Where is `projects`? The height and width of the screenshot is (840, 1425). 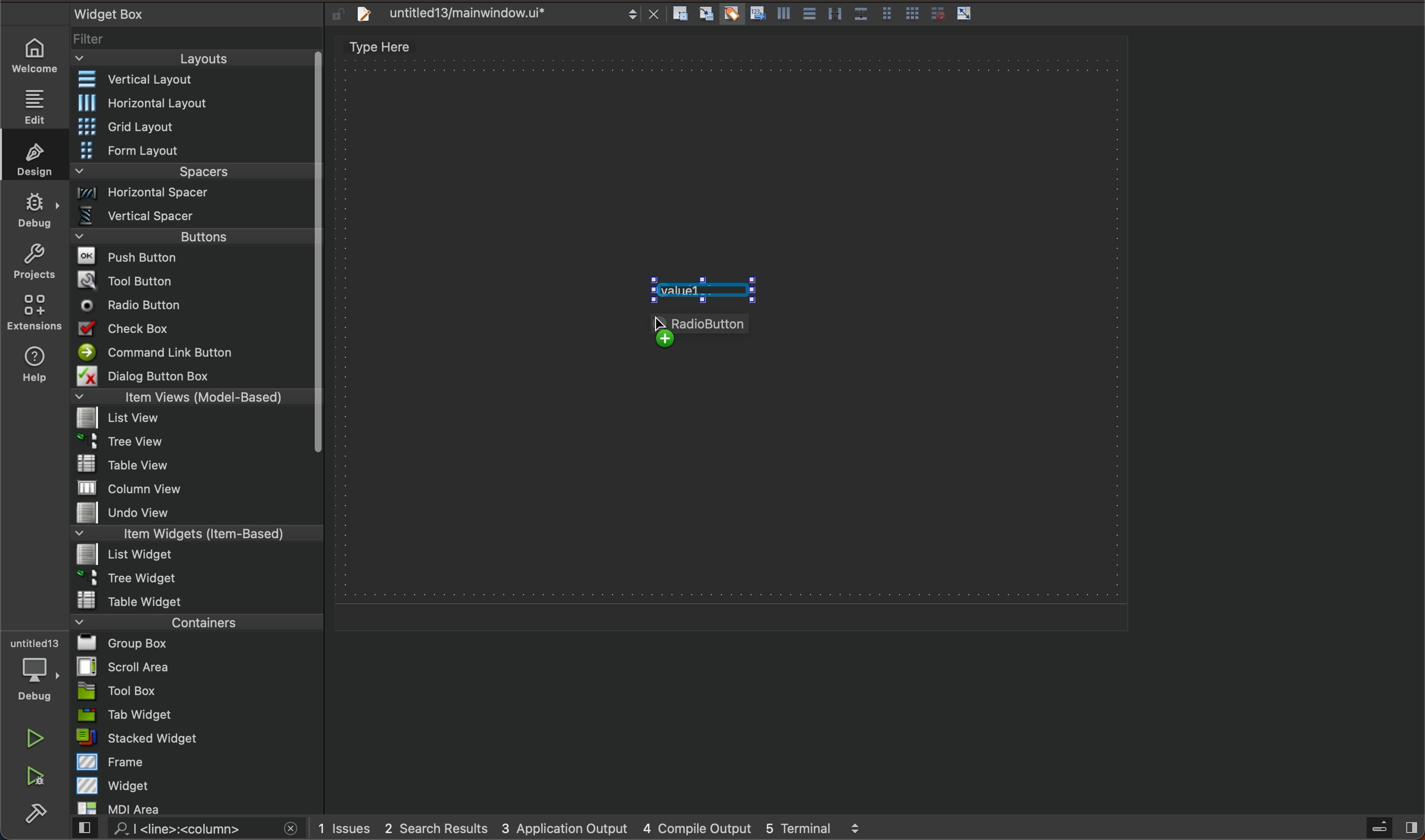 projects is located at coordinates (34, 264).